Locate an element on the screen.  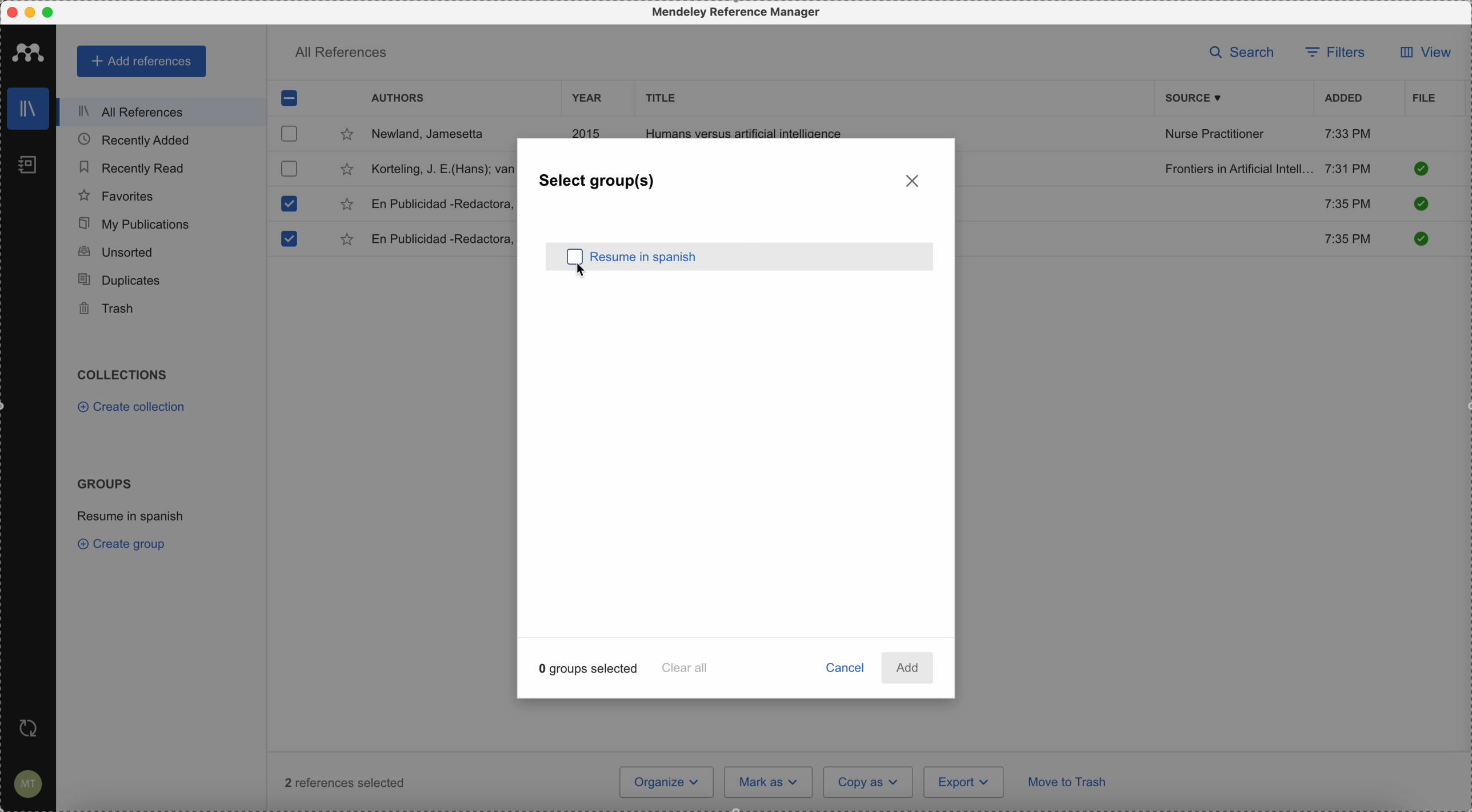
0 groups selected is located at coordinates (590, 667).